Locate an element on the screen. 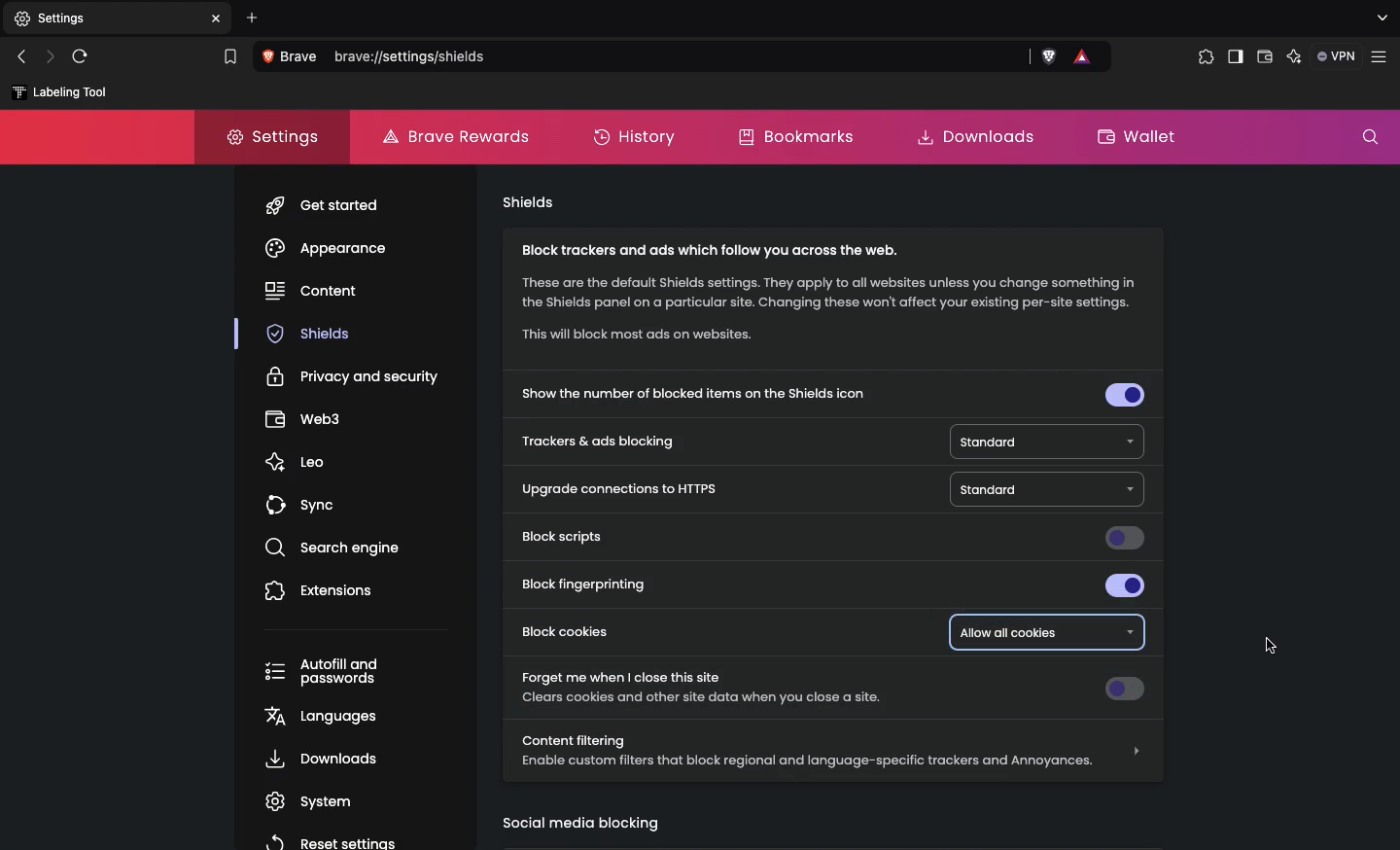 The width and height of the screenshot is (1400, 850). Block scripts is located at coordinates (830, 539).